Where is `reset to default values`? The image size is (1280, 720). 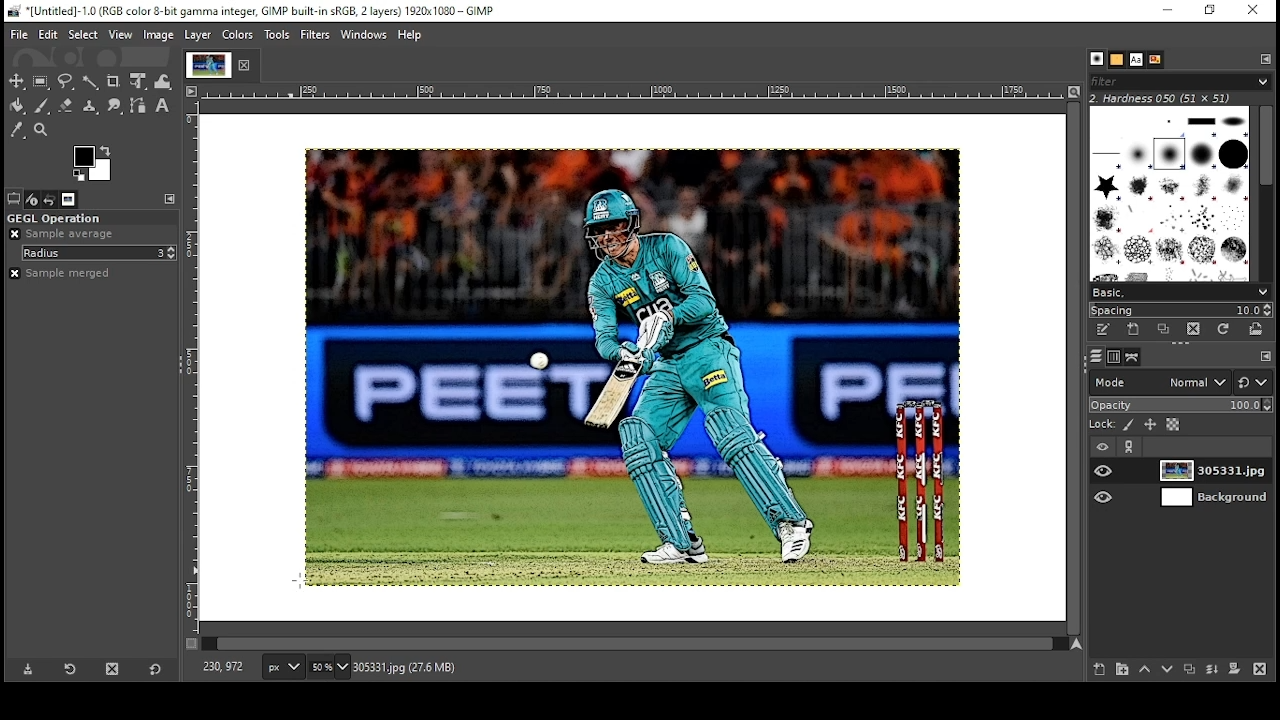
reset to default values is located at coordinates (157, 668).